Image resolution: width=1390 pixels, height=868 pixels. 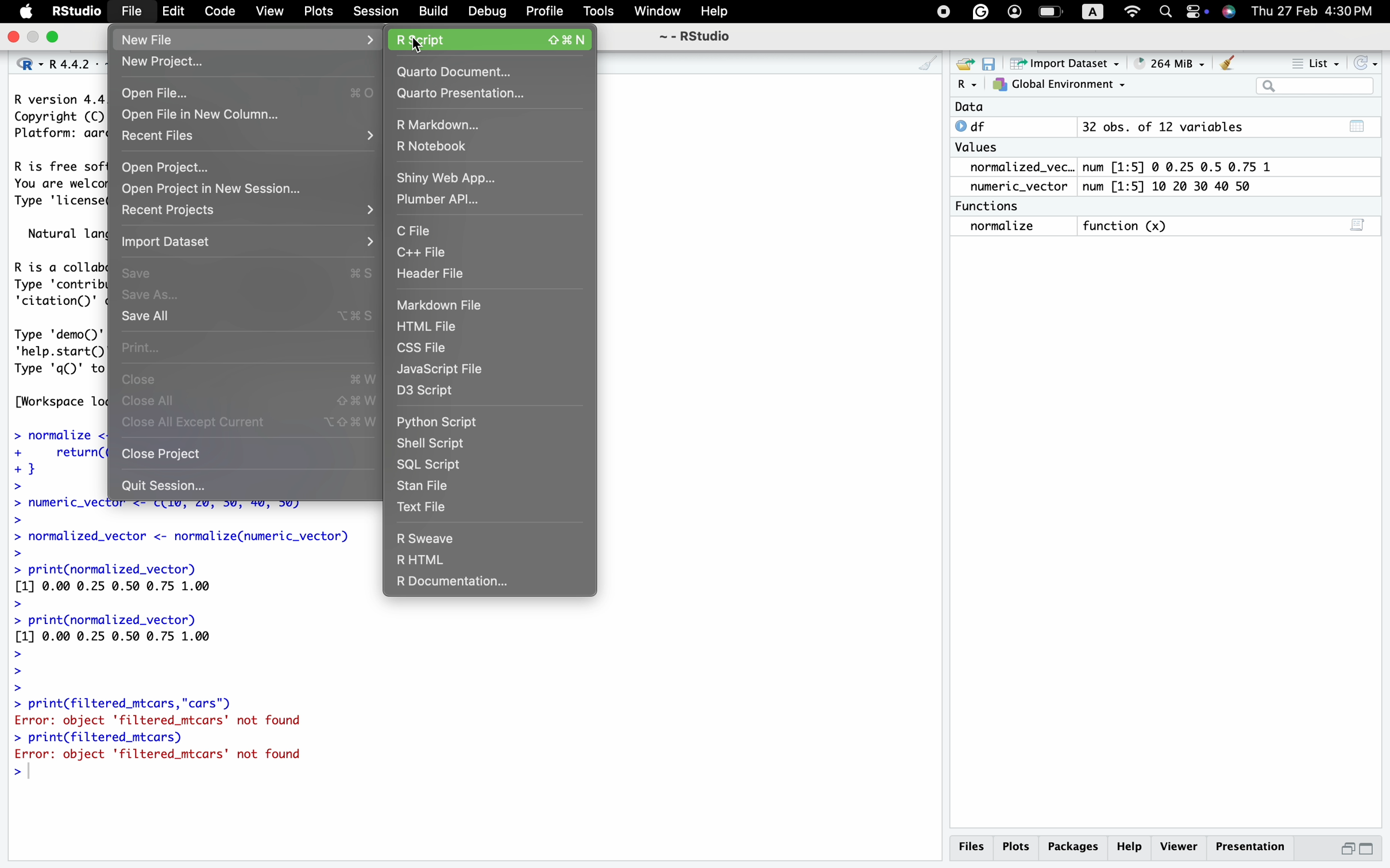 What do you see at coordinates (1062, 86) in the screenshot?
I see `global environment` at bounding box center [1062, 86].